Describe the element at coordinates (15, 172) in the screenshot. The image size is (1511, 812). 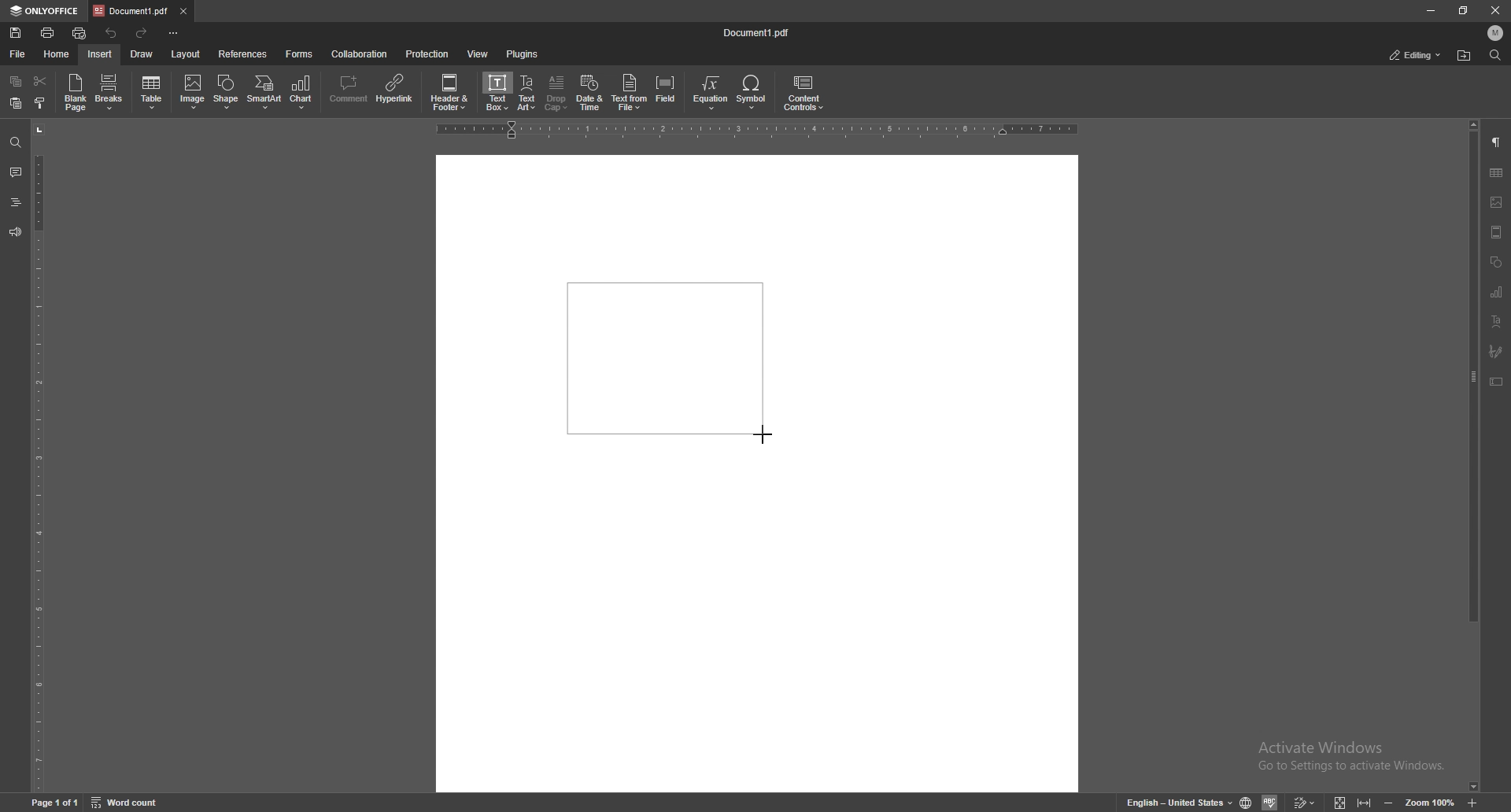
I see `comment` at that location.